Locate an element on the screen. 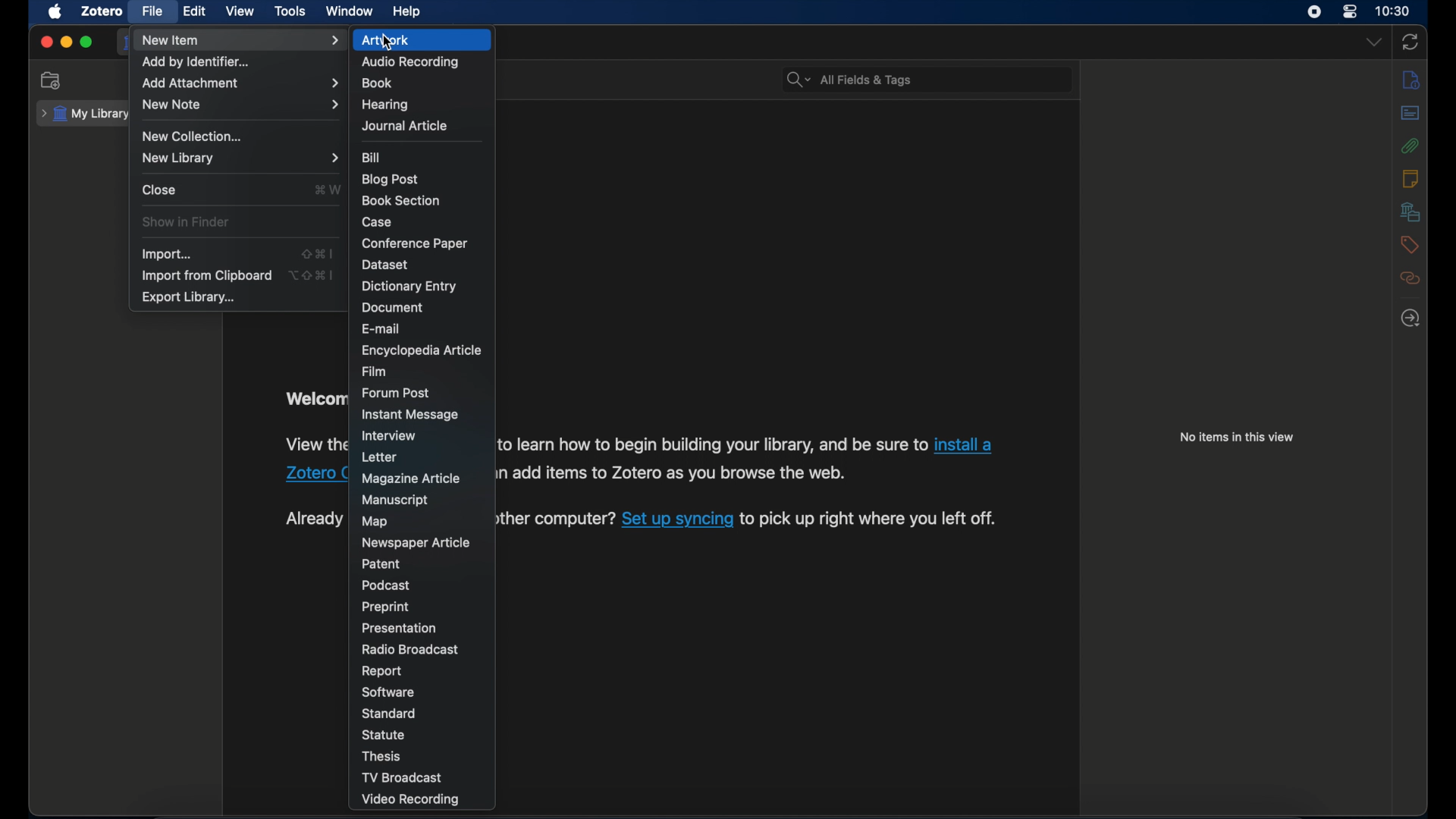 Image resolution: width=1456 pixels, height=819 pixels. my library is located at coordinates (86, 115).